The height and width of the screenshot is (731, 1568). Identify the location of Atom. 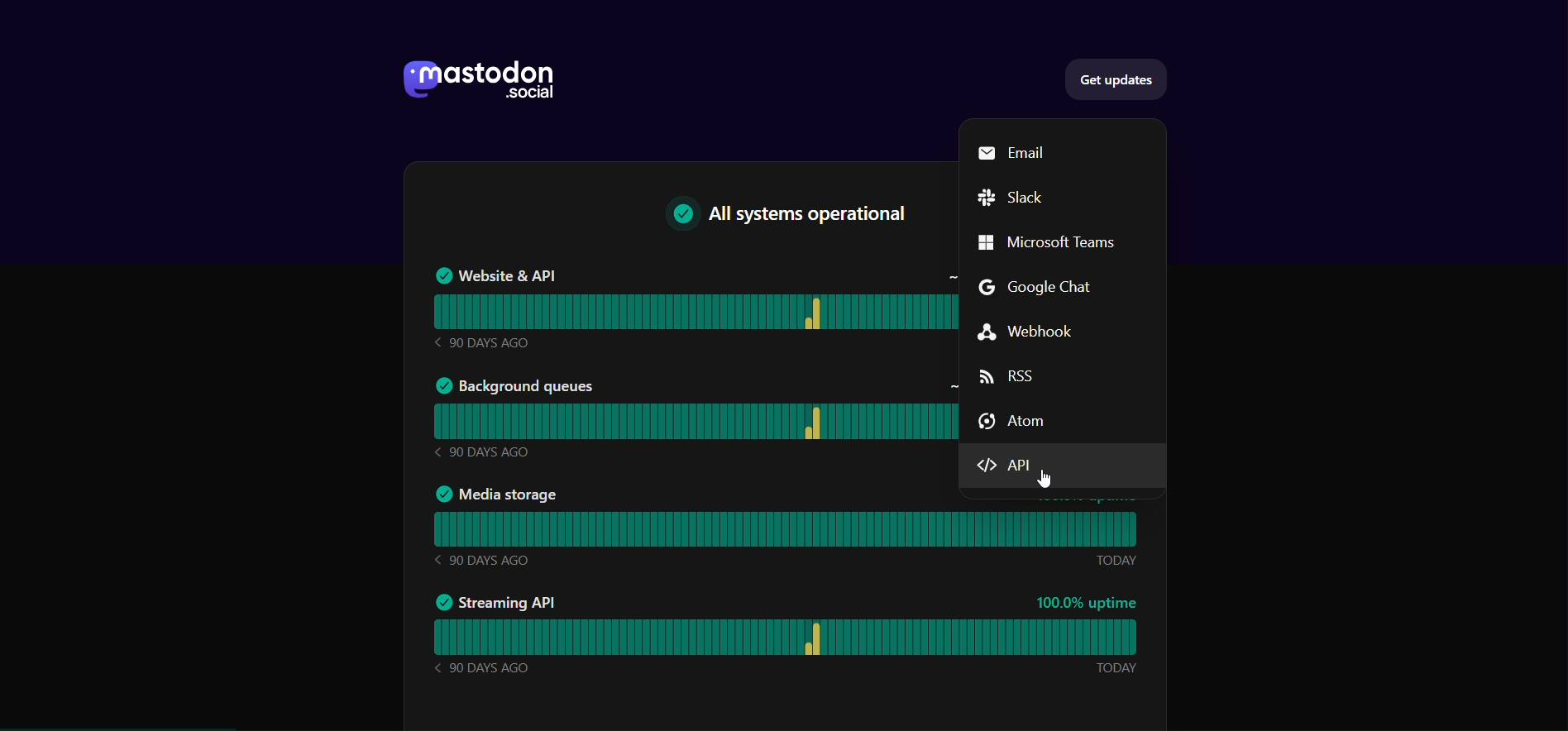
(1011, 425).